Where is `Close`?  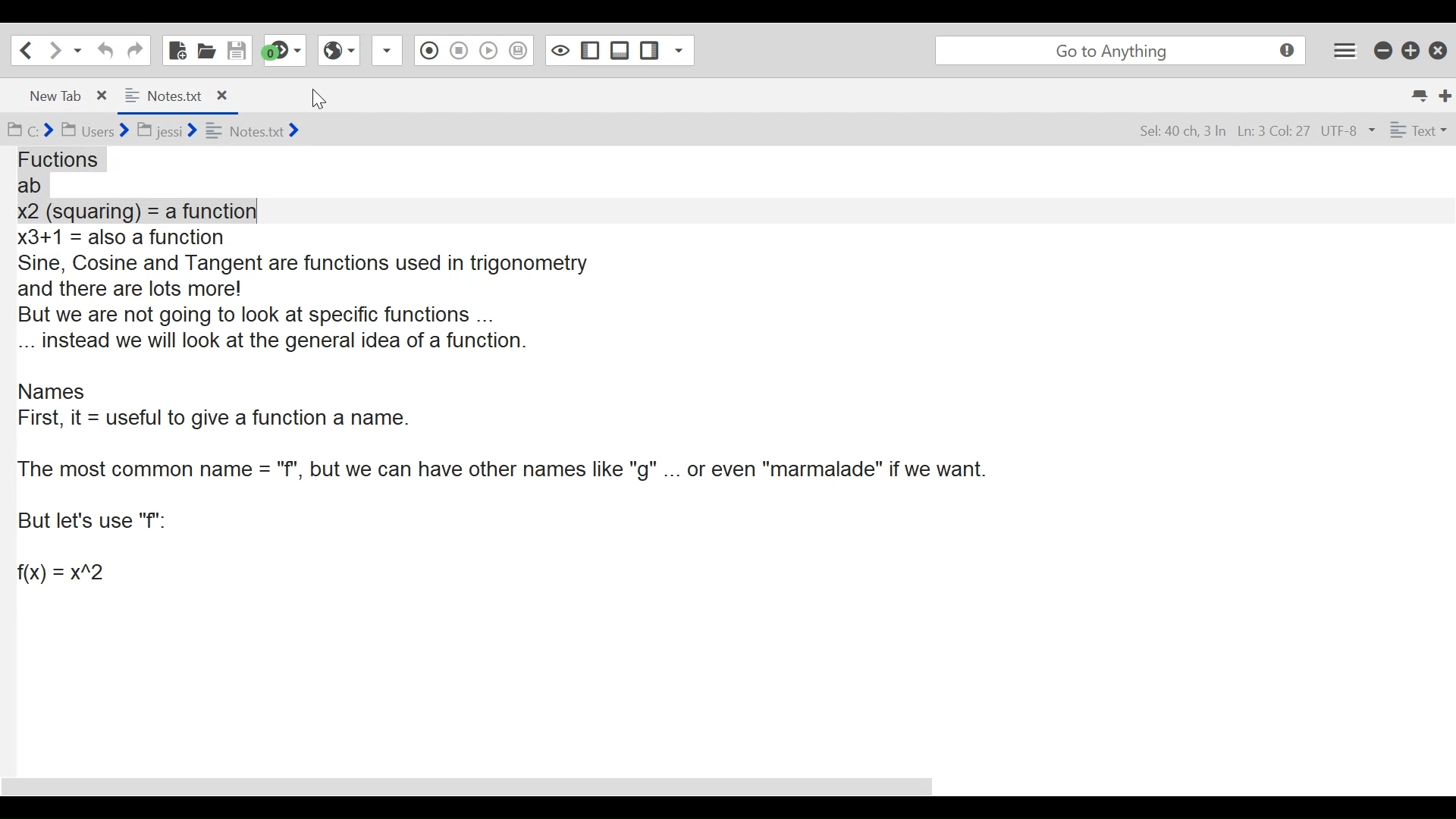 Close is located at coordinates (1437, 49).